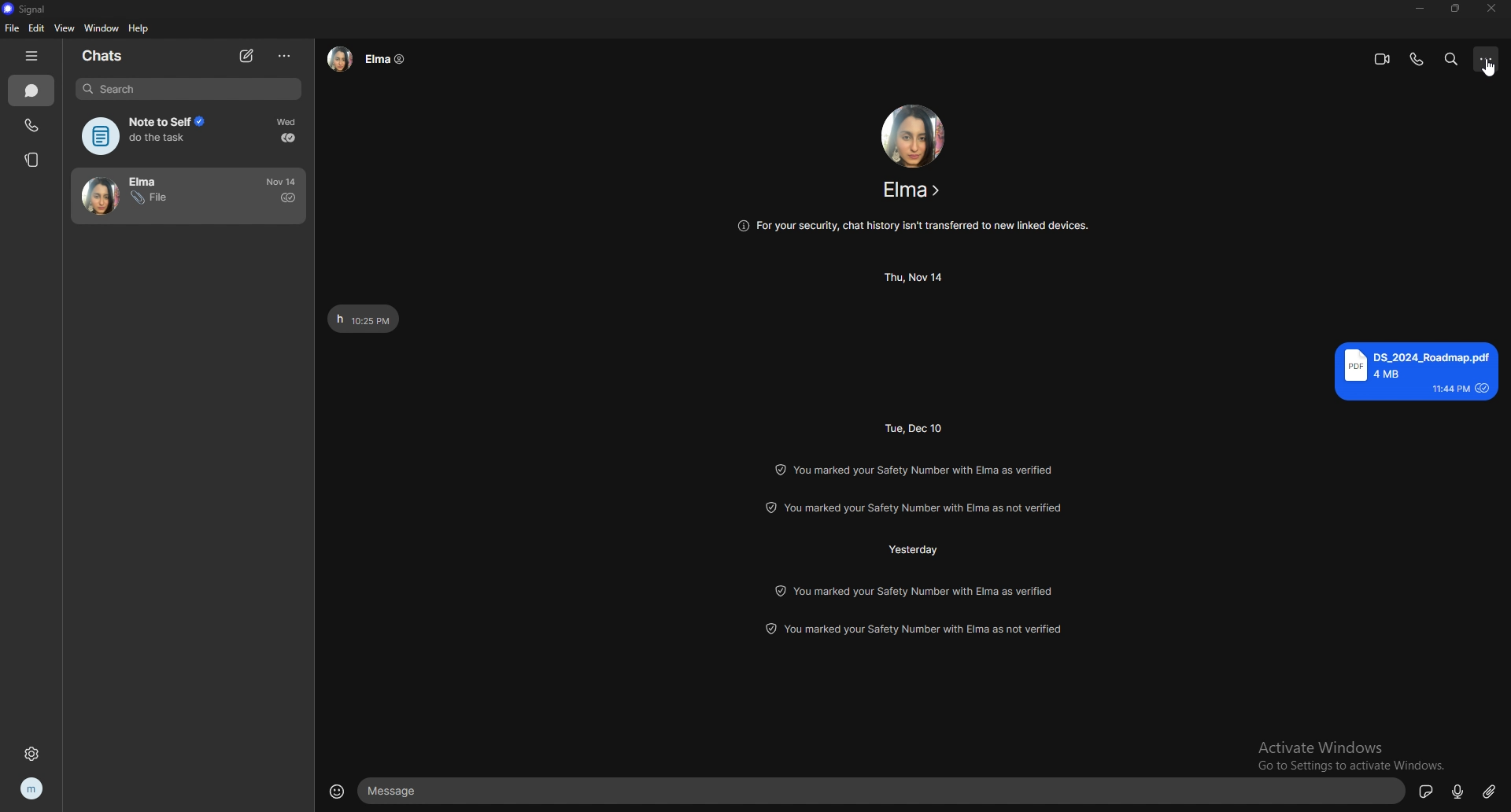 The height and width of the screenshot is (812, 1511). I want to click on text box, so click(881, 792).